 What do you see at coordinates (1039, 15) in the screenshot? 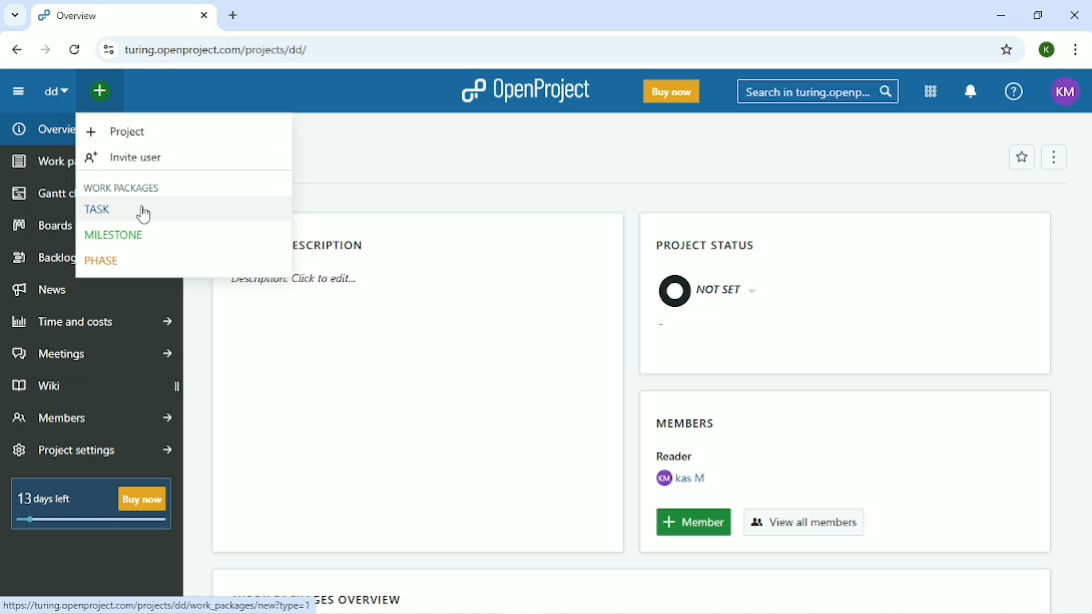
I see `Restore down` at bounding box center [1039, 15].